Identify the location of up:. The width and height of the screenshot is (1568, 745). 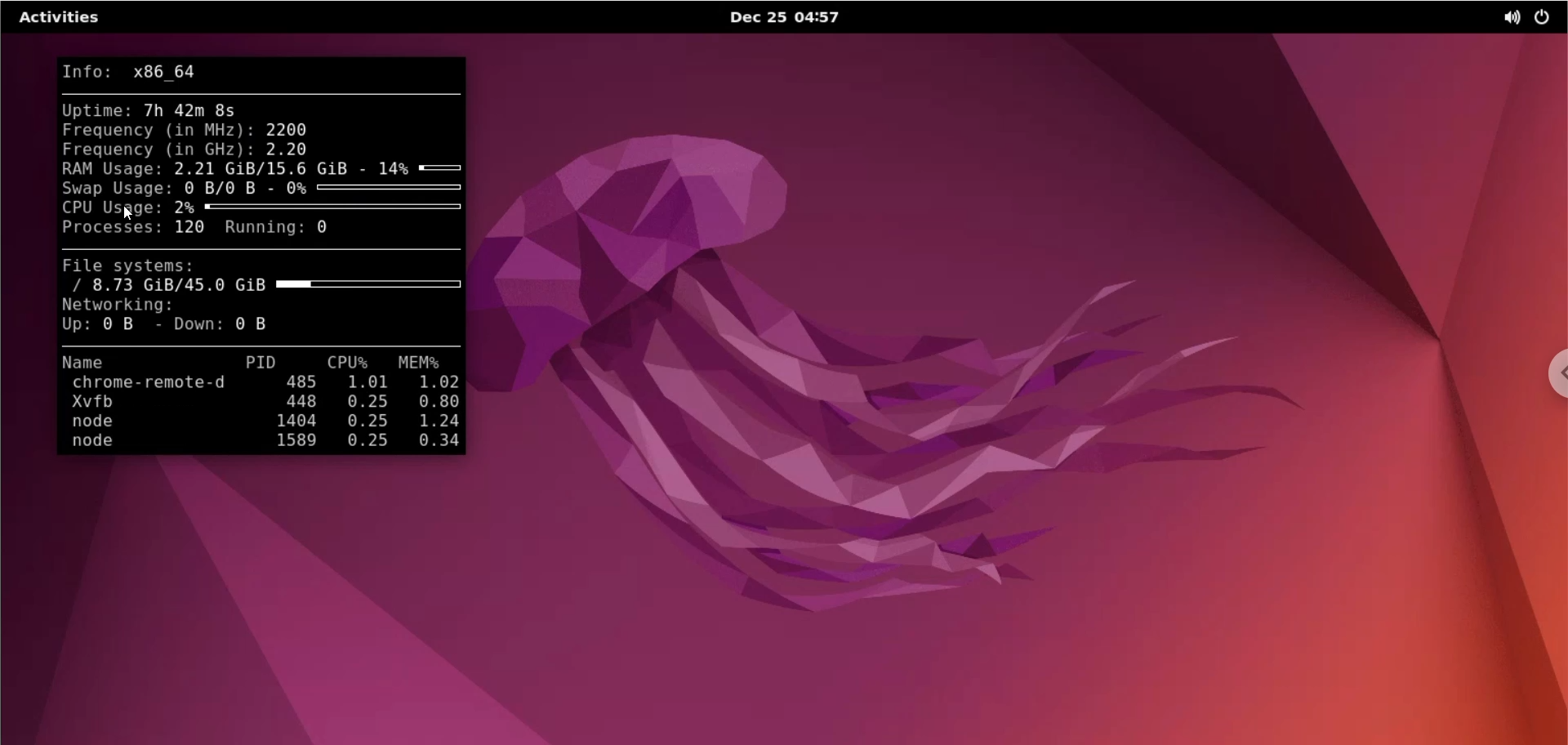
(75, 326).